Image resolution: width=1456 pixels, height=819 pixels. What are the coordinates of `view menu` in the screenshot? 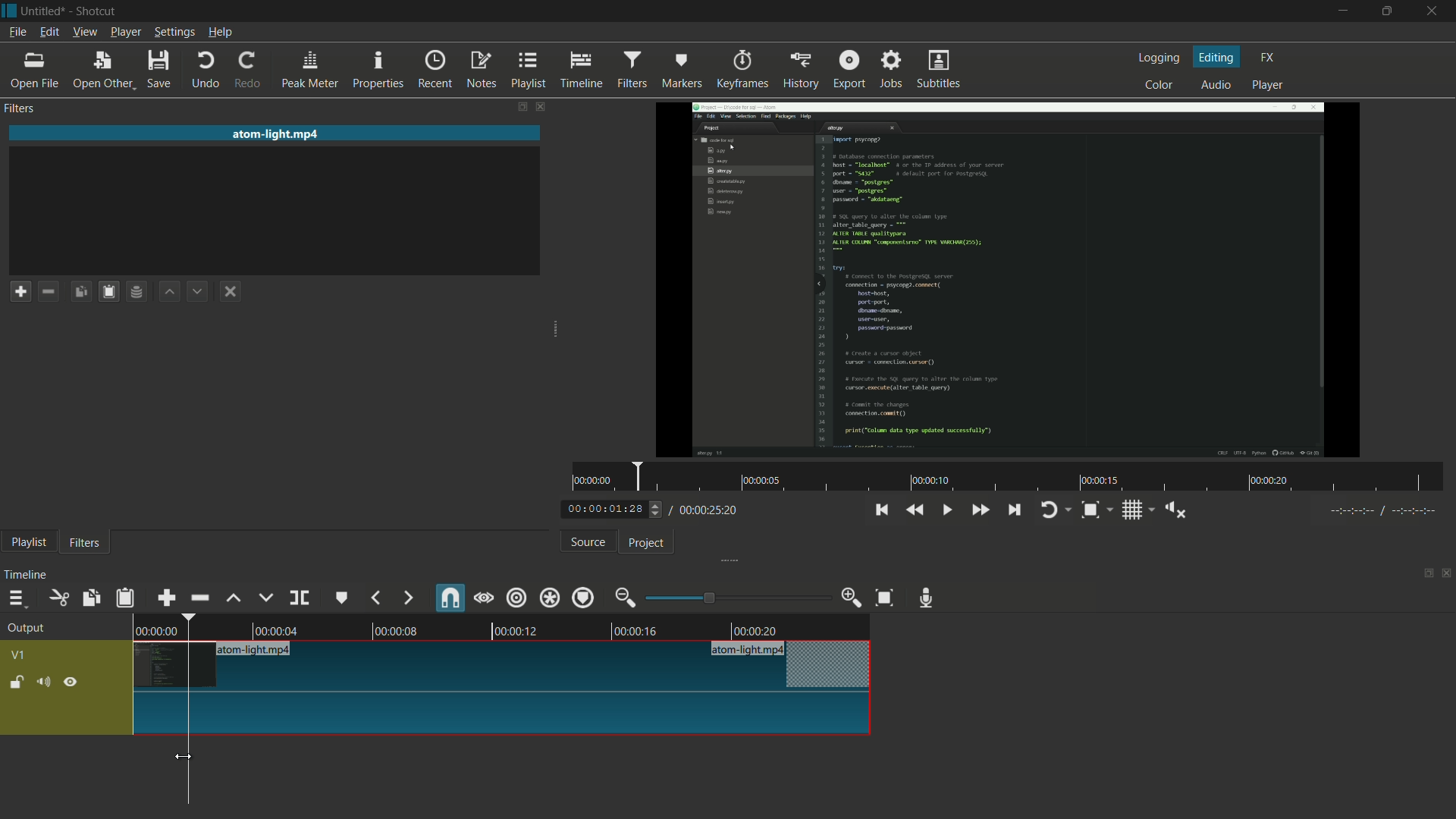 It's located at (83, 33).